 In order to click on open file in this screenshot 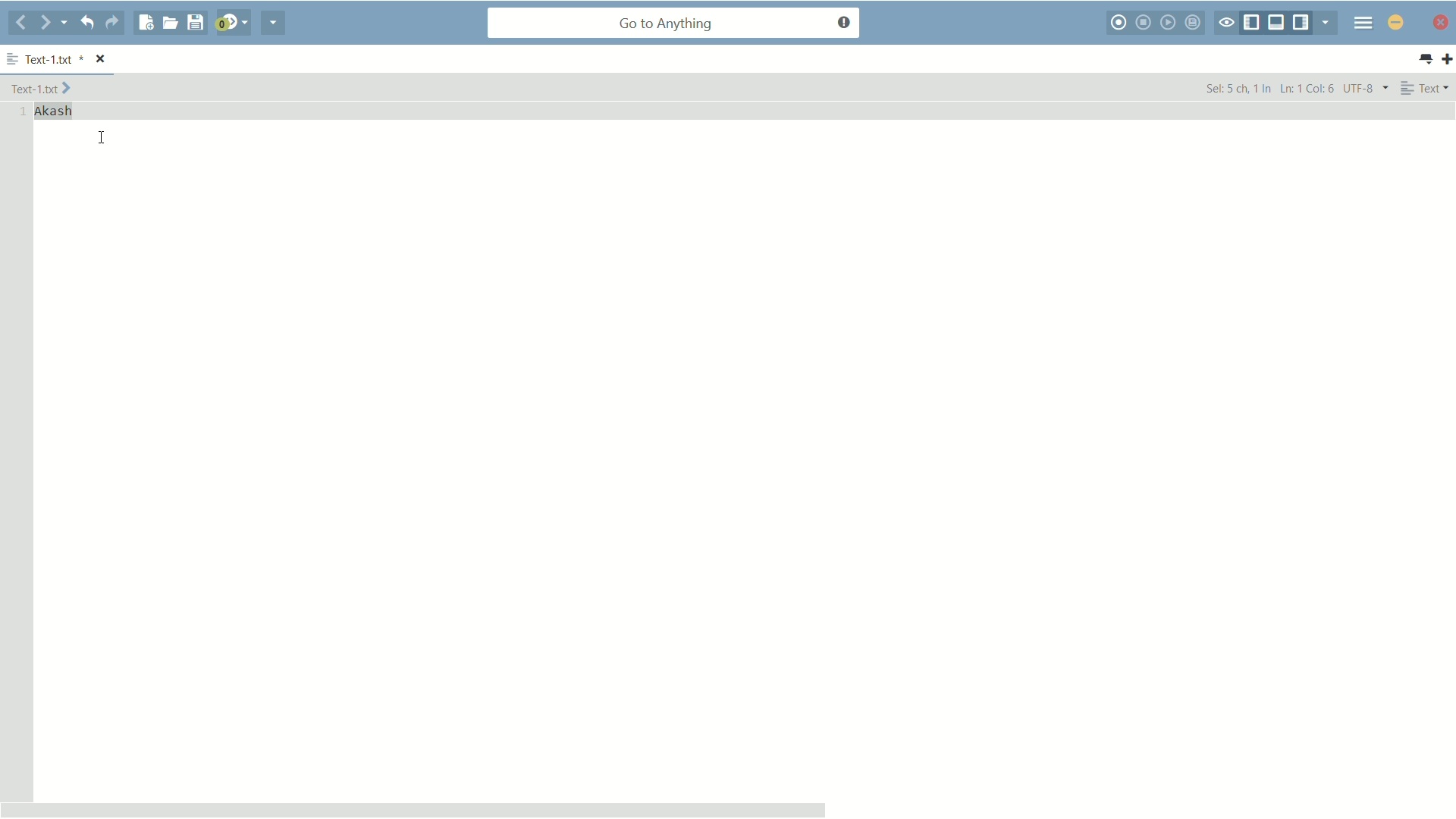, I will do `click(170, 23)`.